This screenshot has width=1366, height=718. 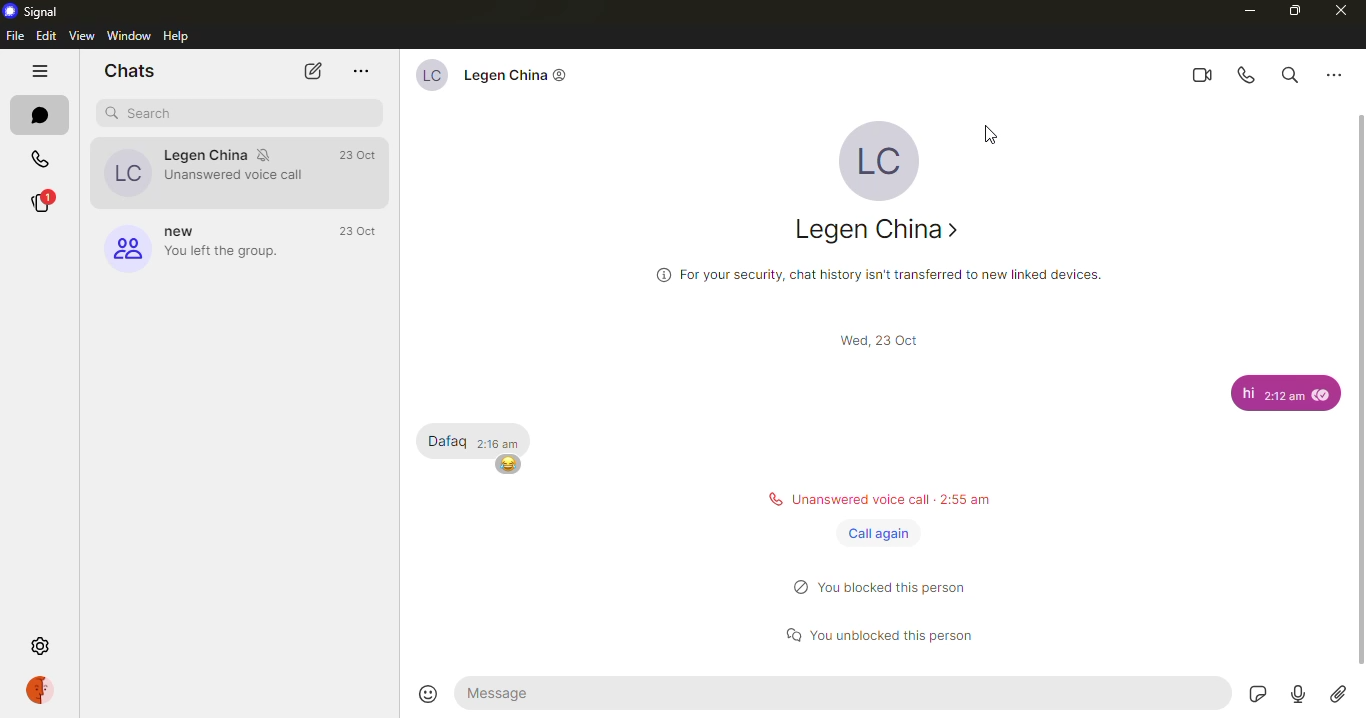 I want to click on new chat, so click(x=309, y=72).